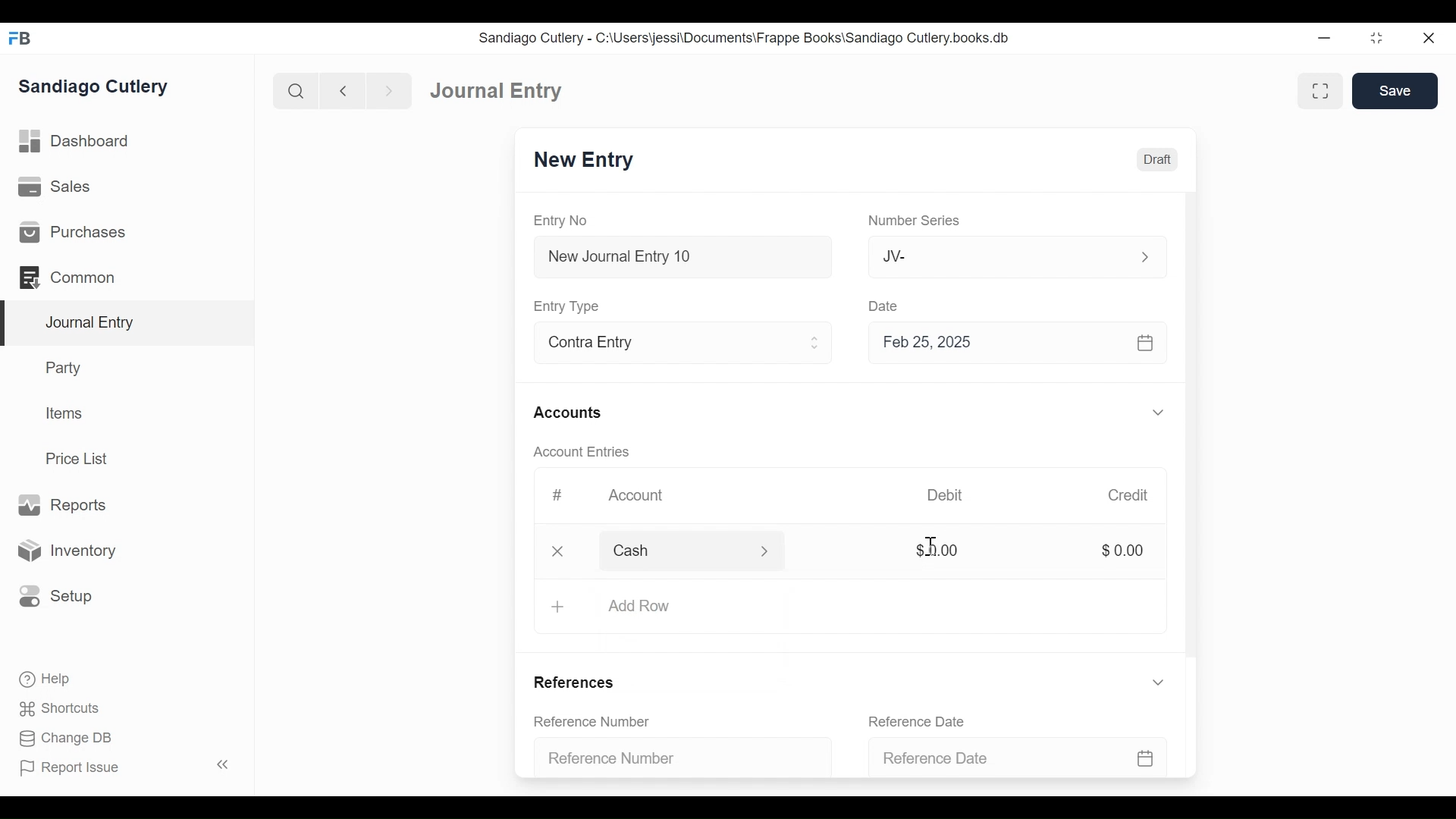 Image resolution: width=1456 pixels, height=819 pixels. I want to click on Navigate Forward, so click(390, 89).